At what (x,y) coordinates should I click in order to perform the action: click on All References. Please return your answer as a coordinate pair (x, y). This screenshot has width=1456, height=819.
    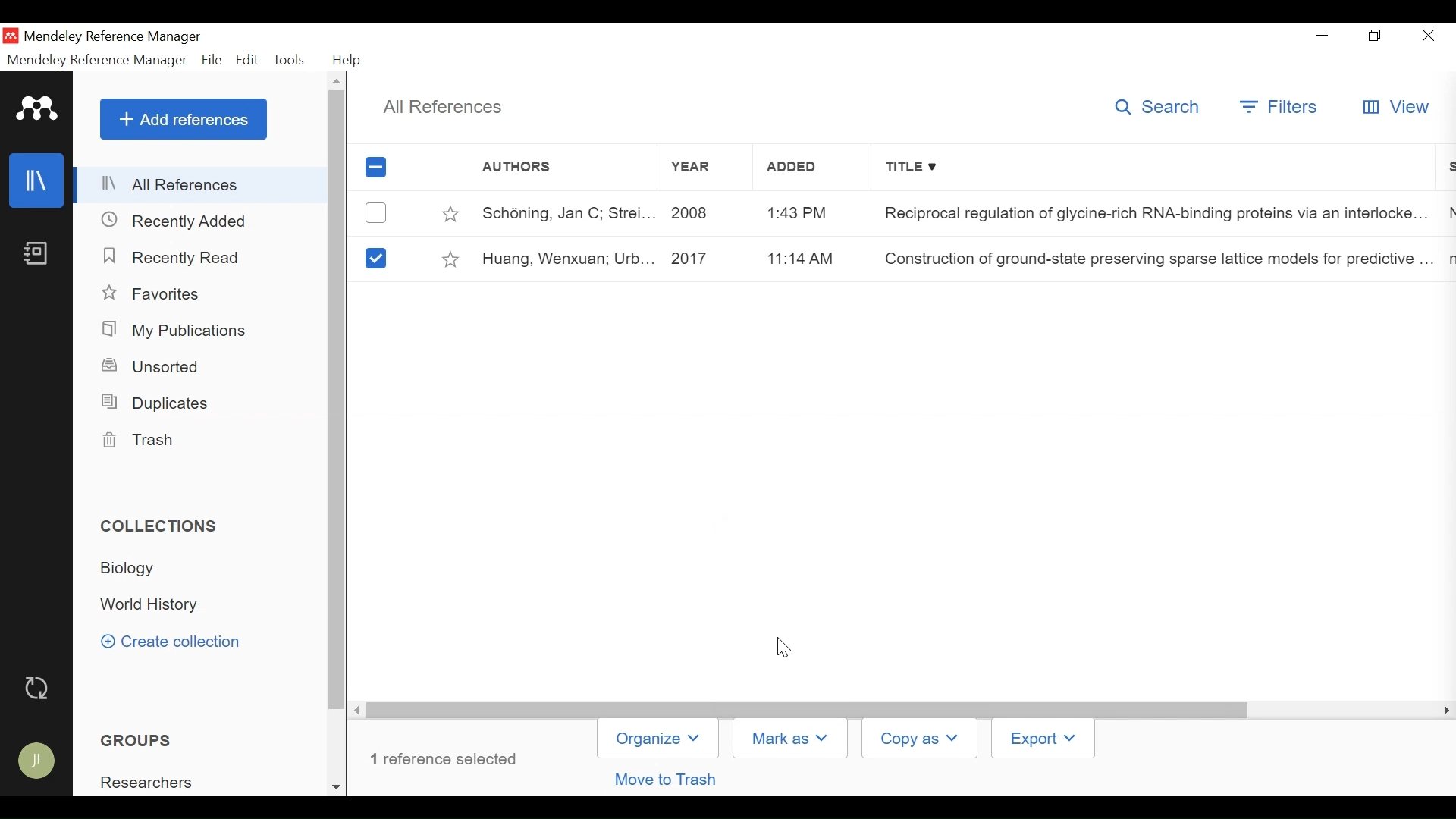
    Looking at the image, I should click on (440, 107).